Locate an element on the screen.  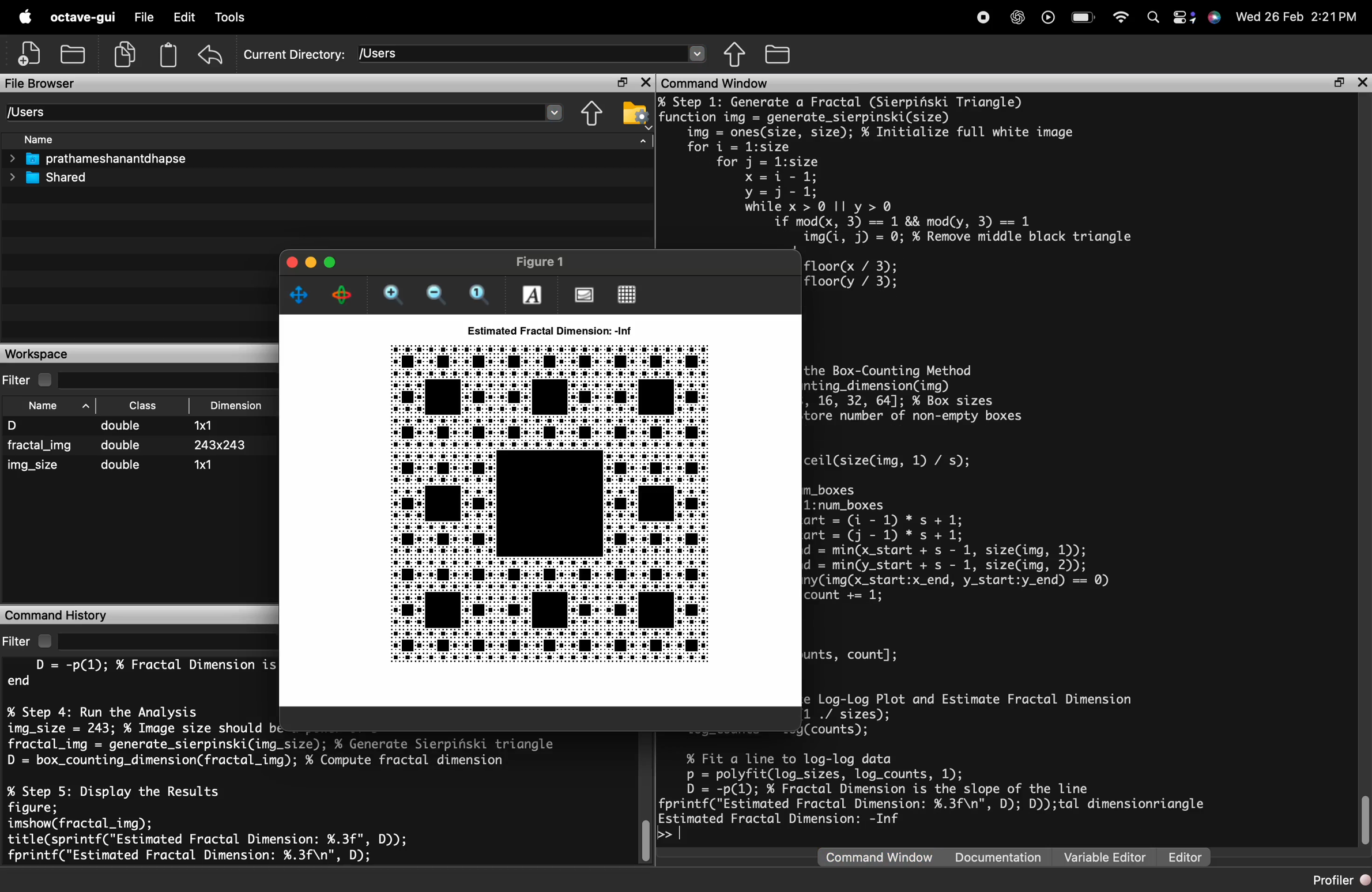
Current Directory: [Users is located at coordinates (290, 55).